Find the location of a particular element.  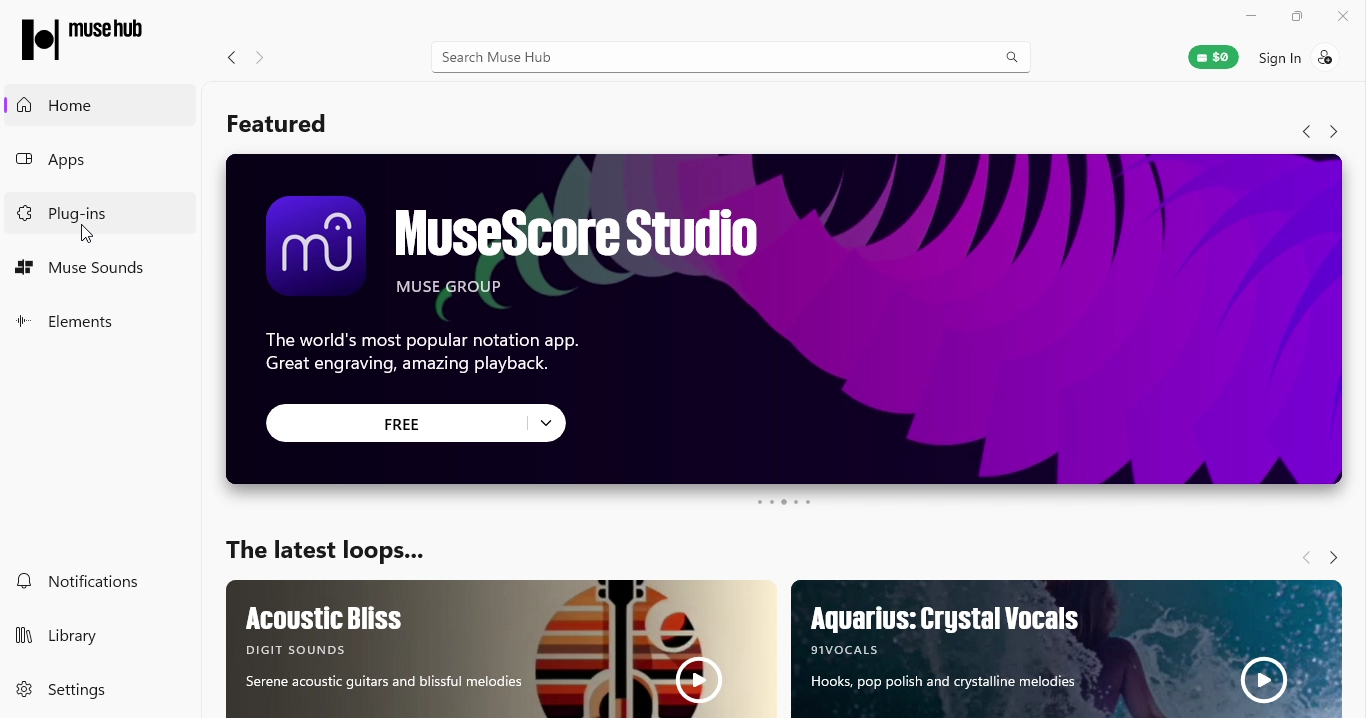

MuseScore Studio Ad is located at coordinates (785, 268).